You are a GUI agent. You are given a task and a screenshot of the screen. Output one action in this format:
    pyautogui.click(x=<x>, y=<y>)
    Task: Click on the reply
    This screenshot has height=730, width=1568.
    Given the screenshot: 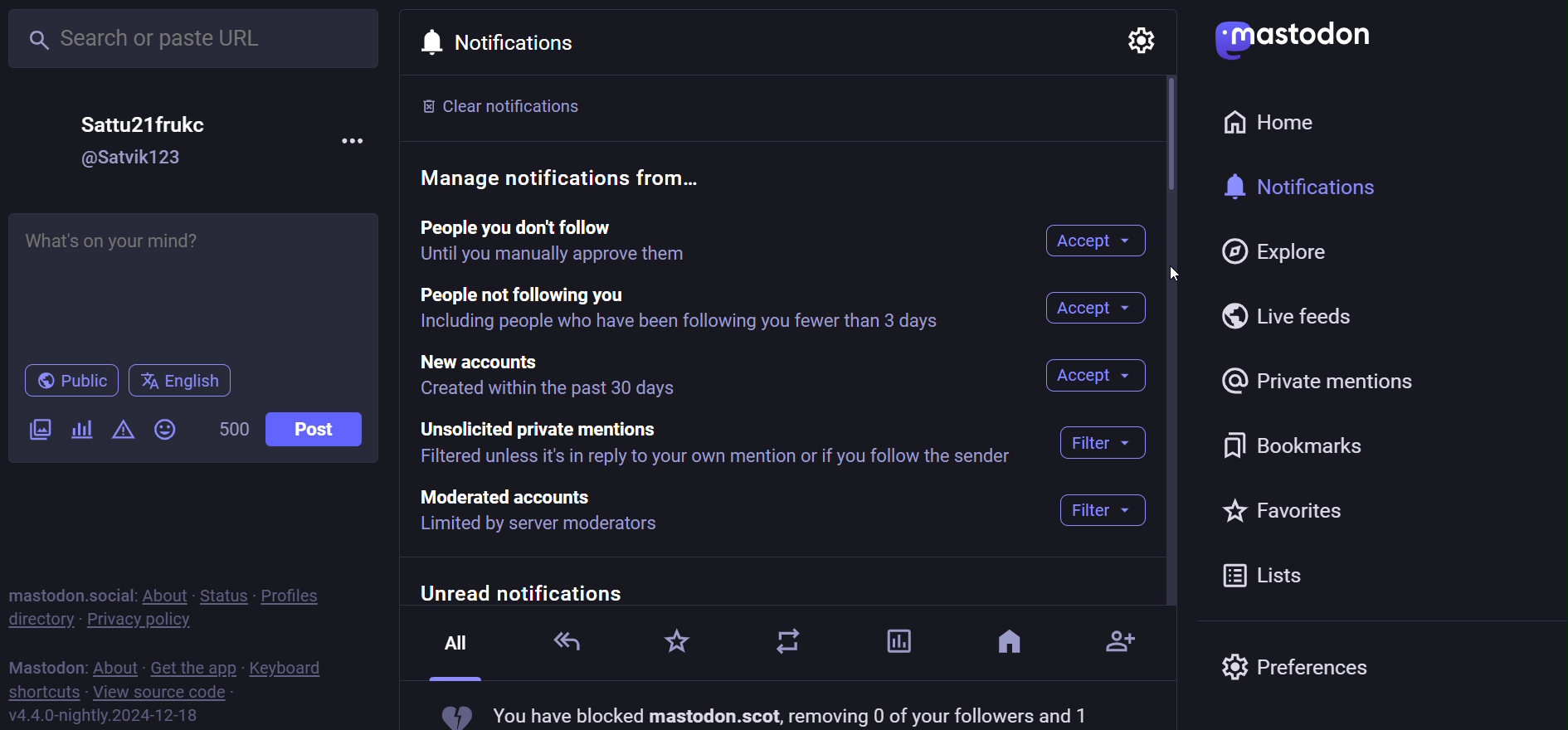 What is the action you would take?
    pyautogui.click(x=568, y=640)
    